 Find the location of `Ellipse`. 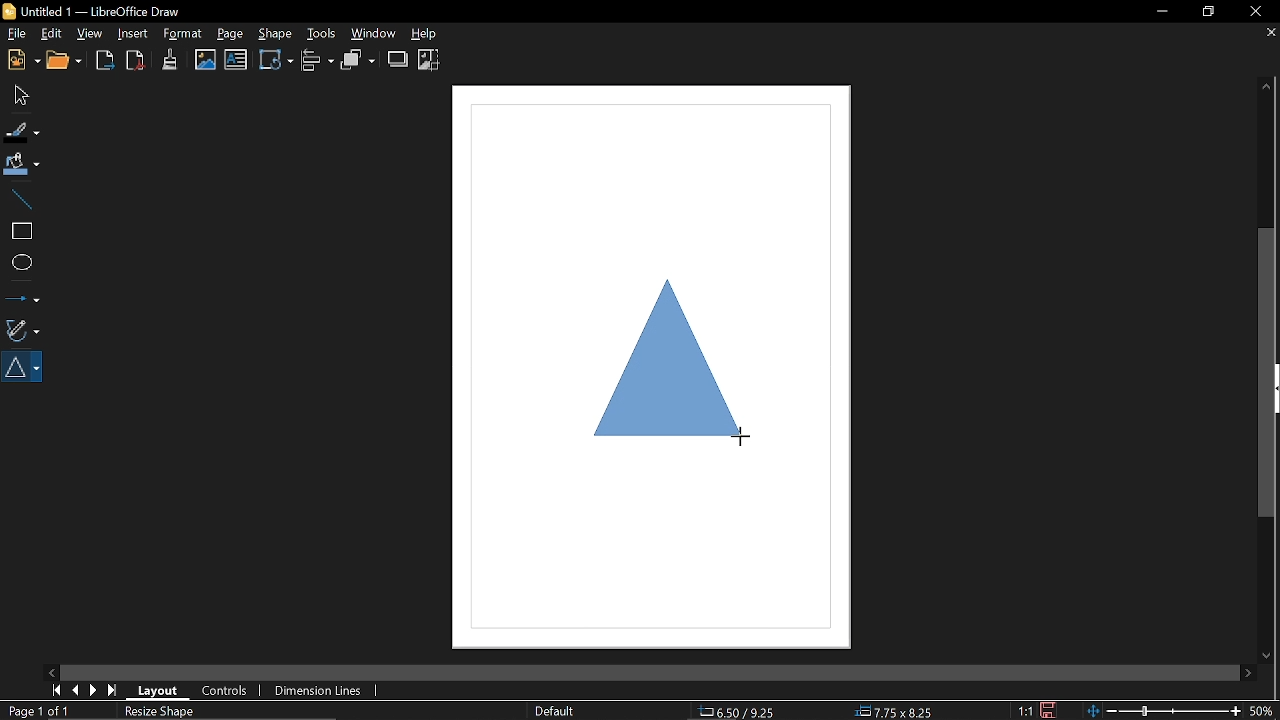

Ellipse is located at coordinates (20, 263).